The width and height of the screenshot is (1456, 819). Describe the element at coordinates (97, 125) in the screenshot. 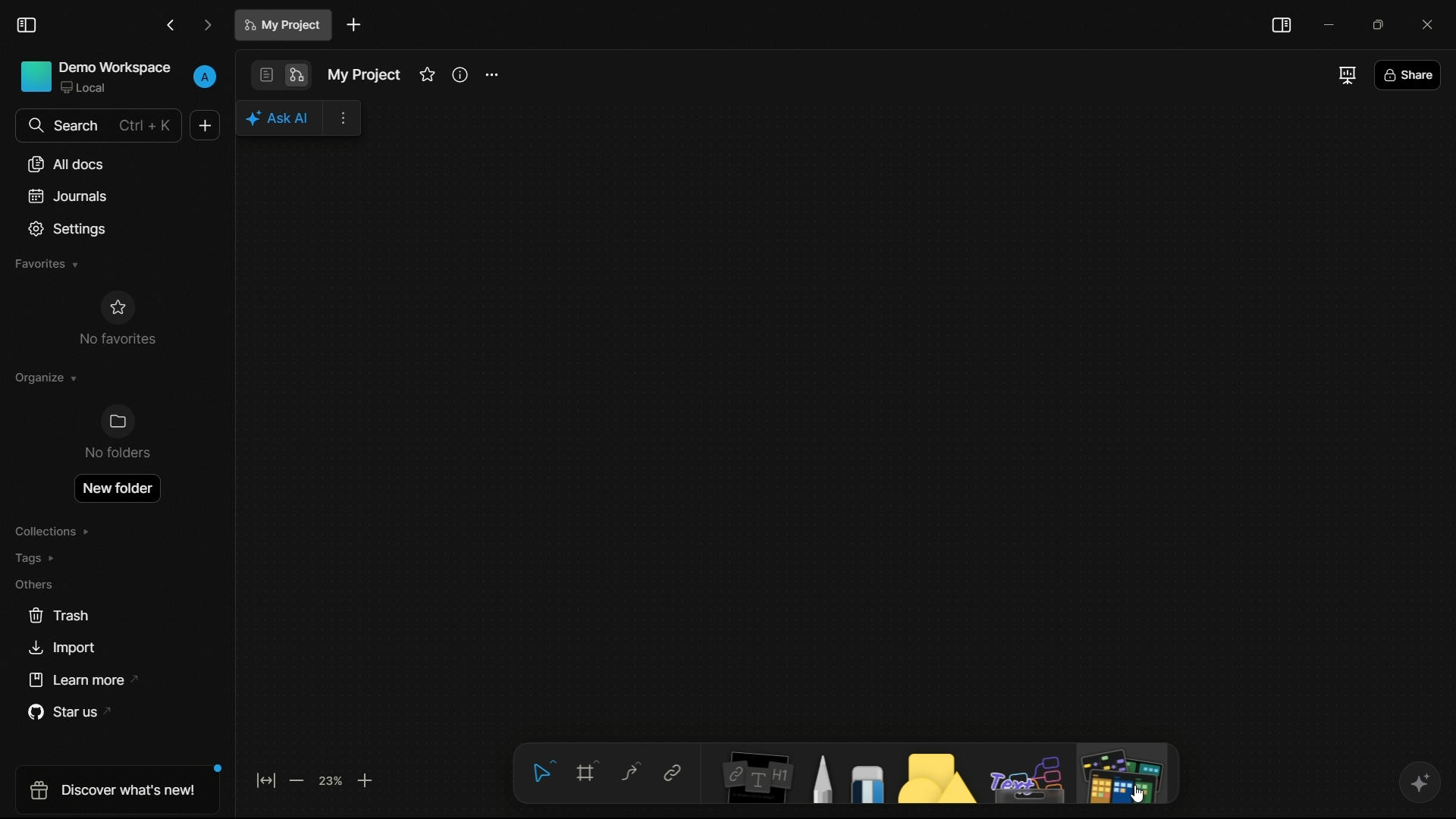

I see `search bar` at that location.